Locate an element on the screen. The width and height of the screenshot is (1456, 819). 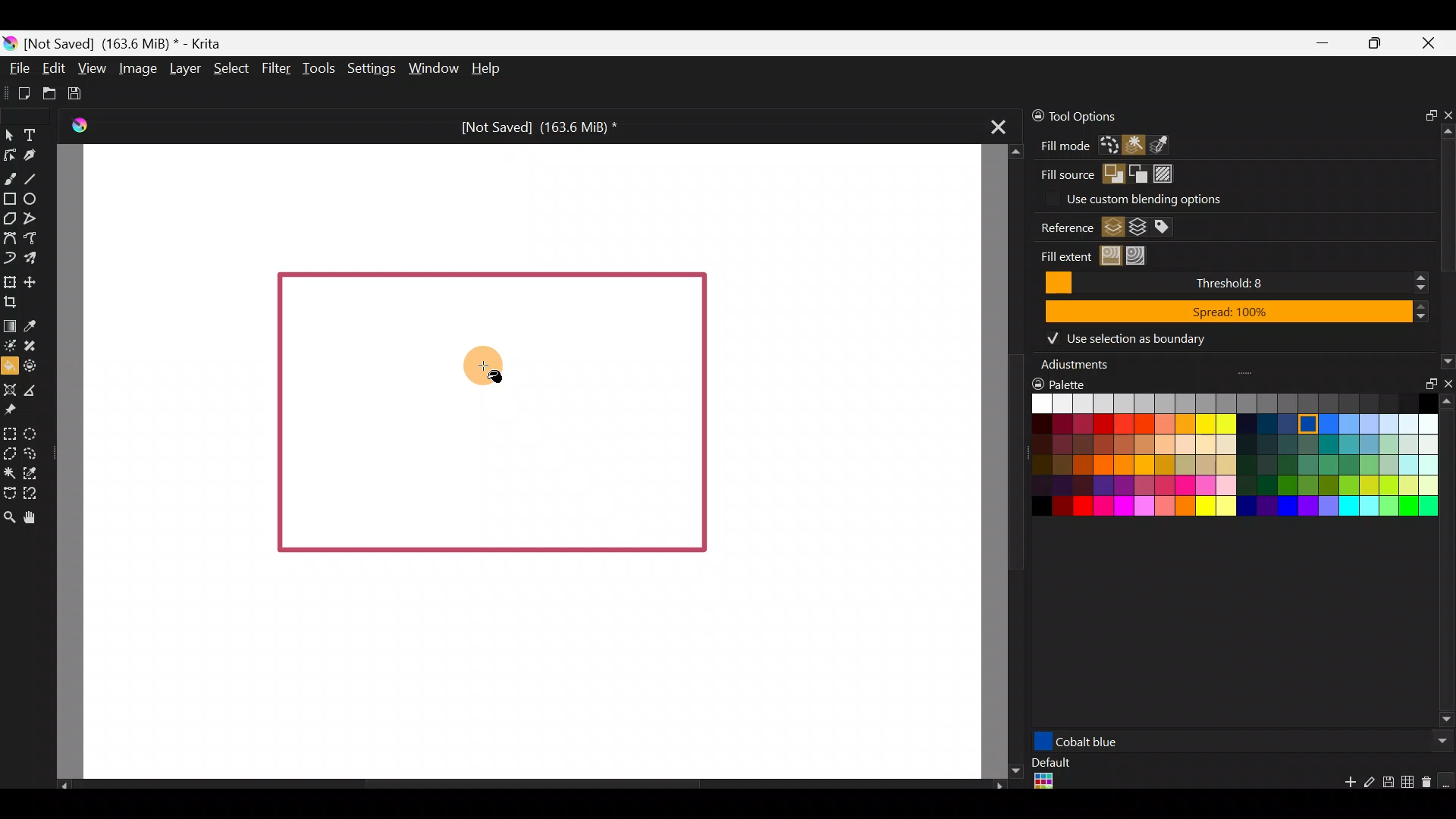
Pan tool is located at coordinates (35, 516).